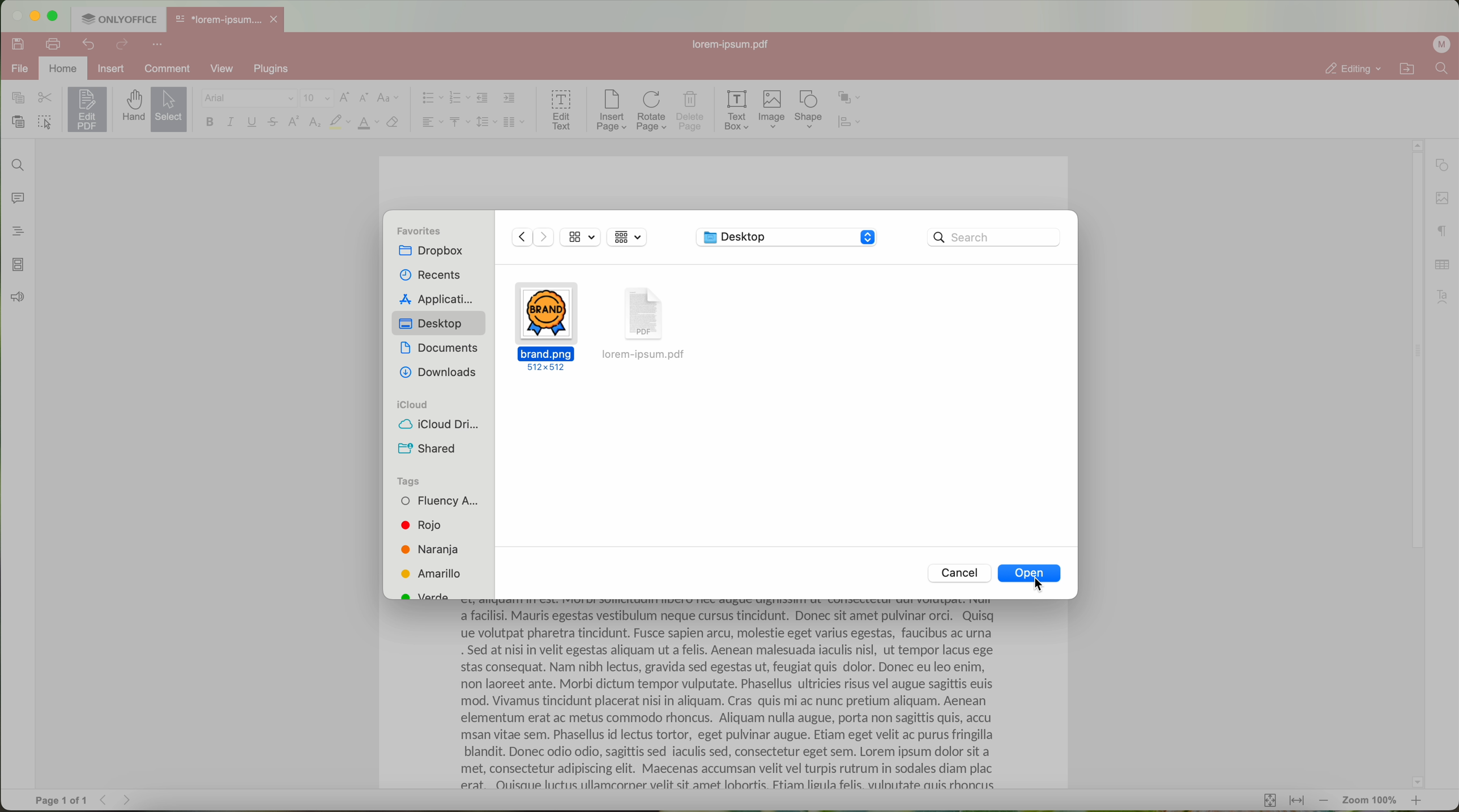 The height and width of the screenshot is (812, 1459). I want to click on Forward, so click(131, 800).